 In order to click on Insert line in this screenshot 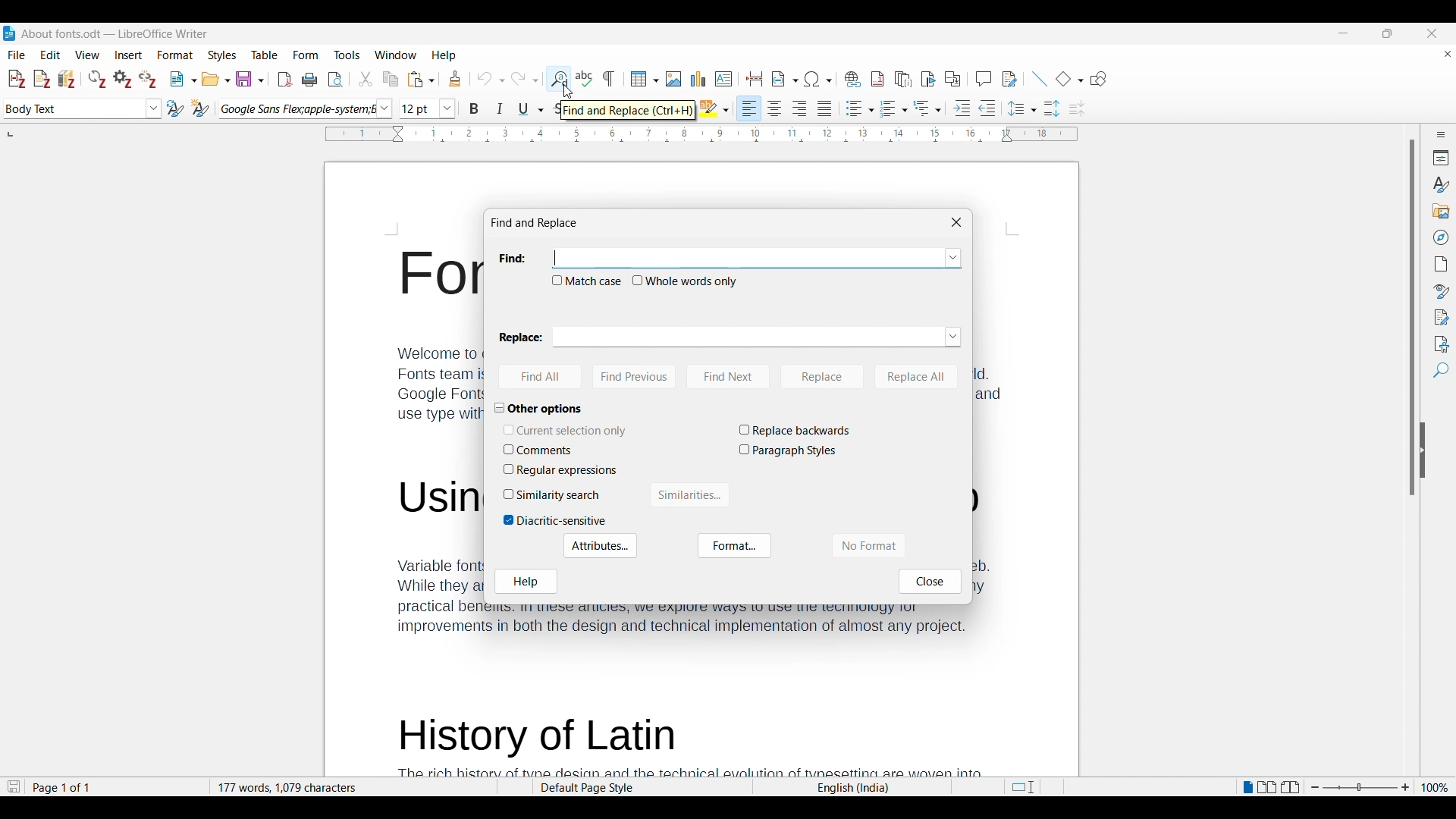, I will do `click(1040, 79)`.